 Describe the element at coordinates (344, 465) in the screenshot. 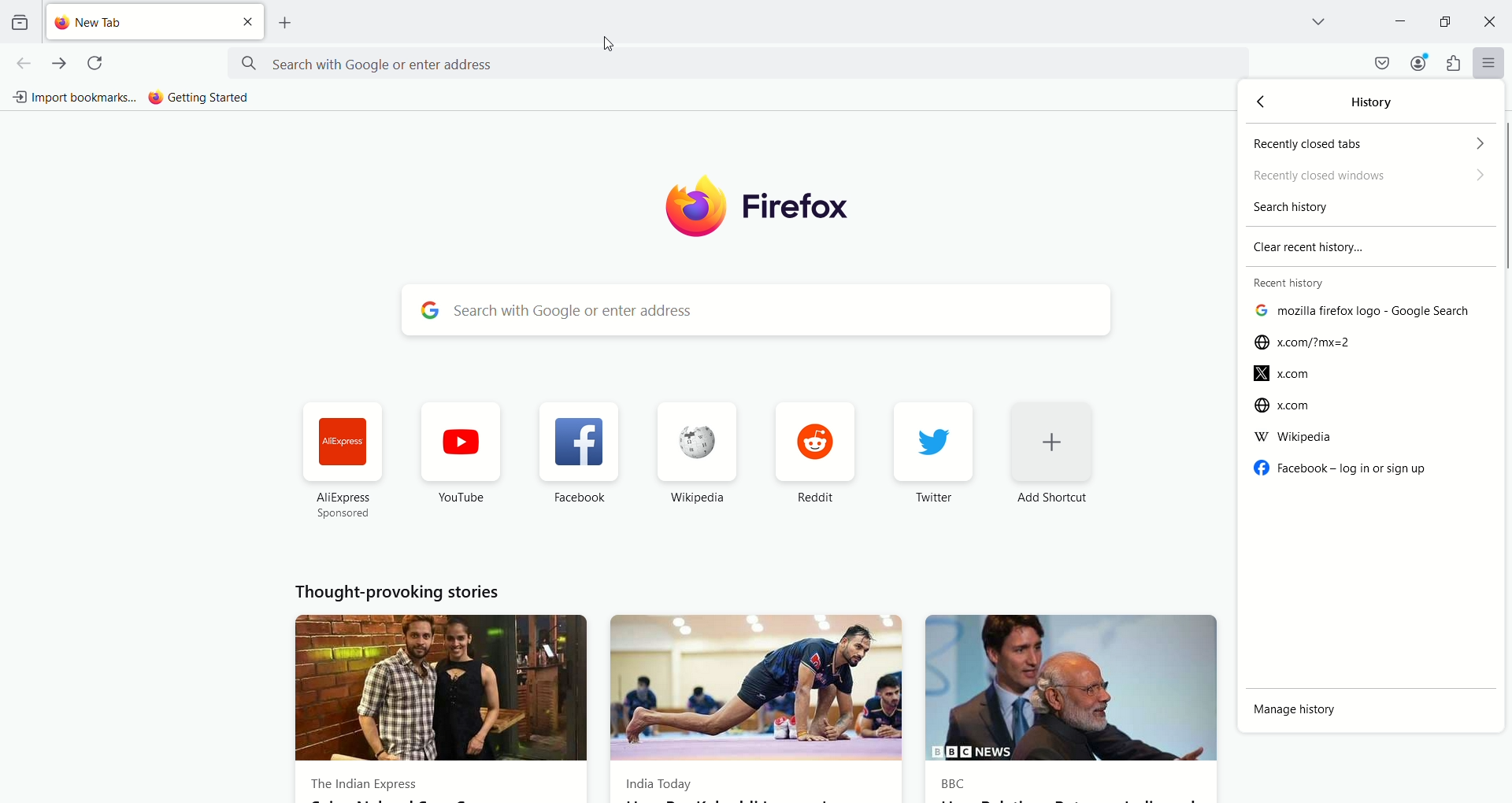

I see `AliExpress` at that location.